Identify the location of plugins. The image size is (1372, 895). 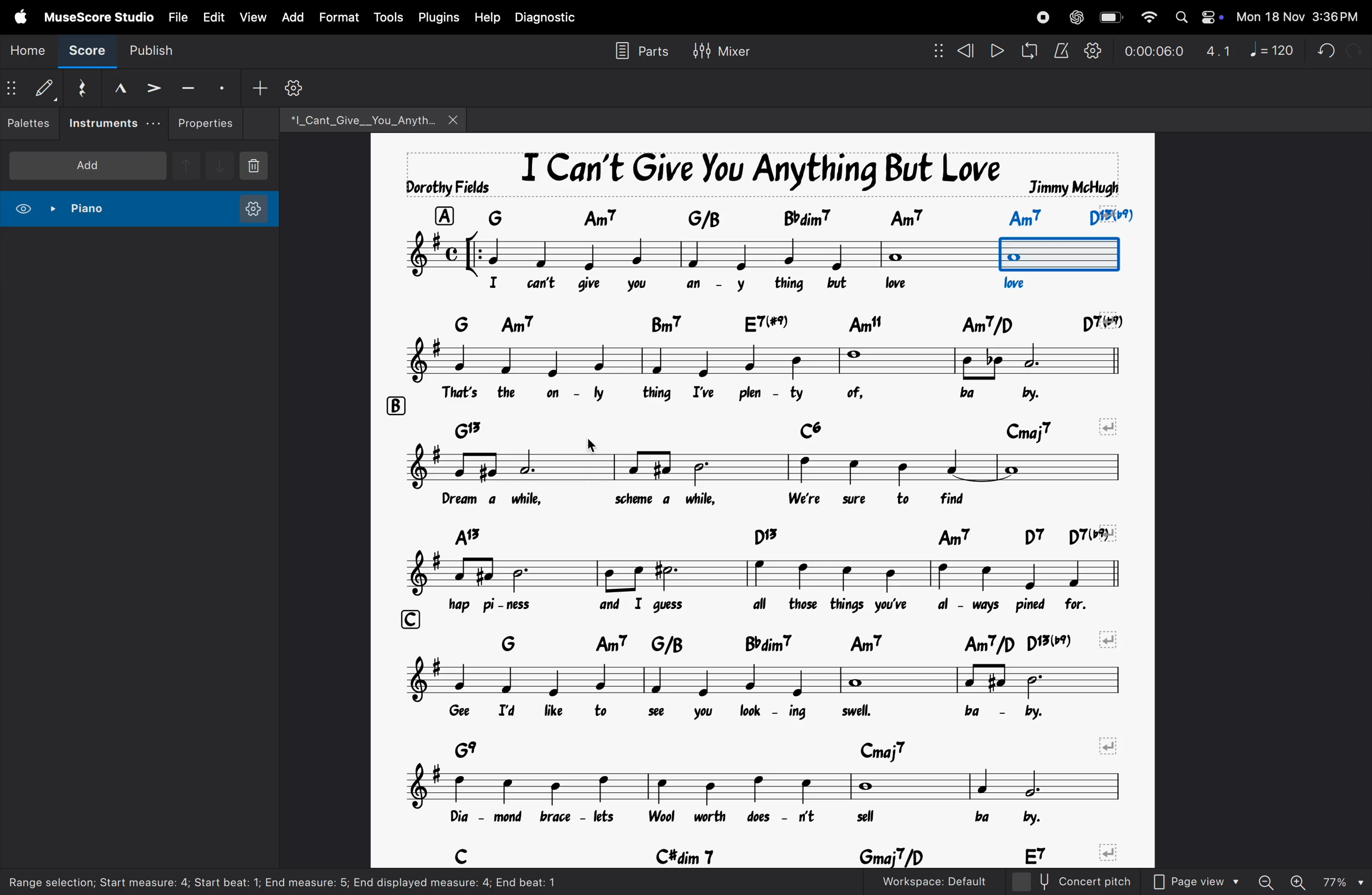
(437, 17).